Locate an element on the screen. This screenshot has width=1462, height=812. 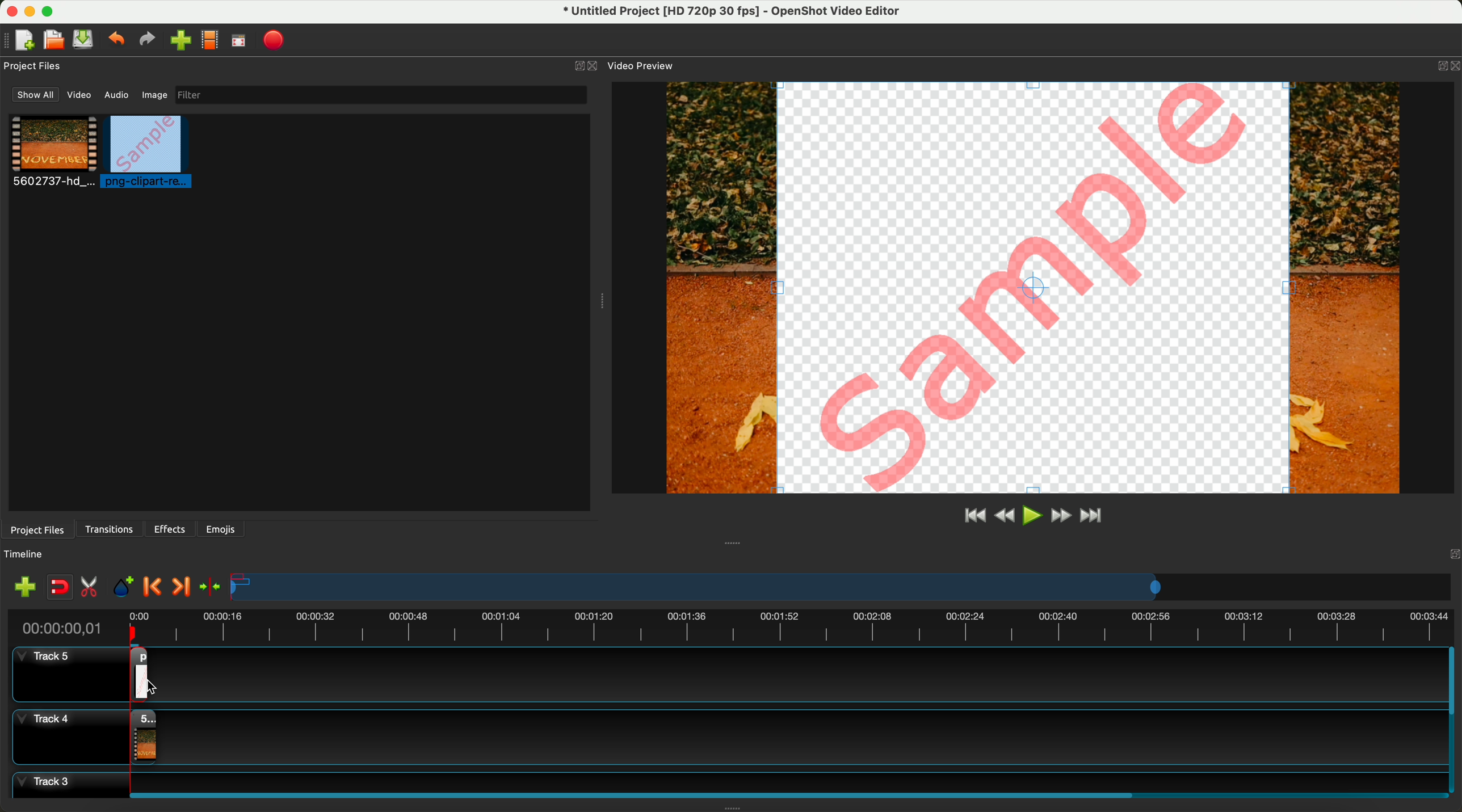
rewind is located at coordinates (1003, 517).